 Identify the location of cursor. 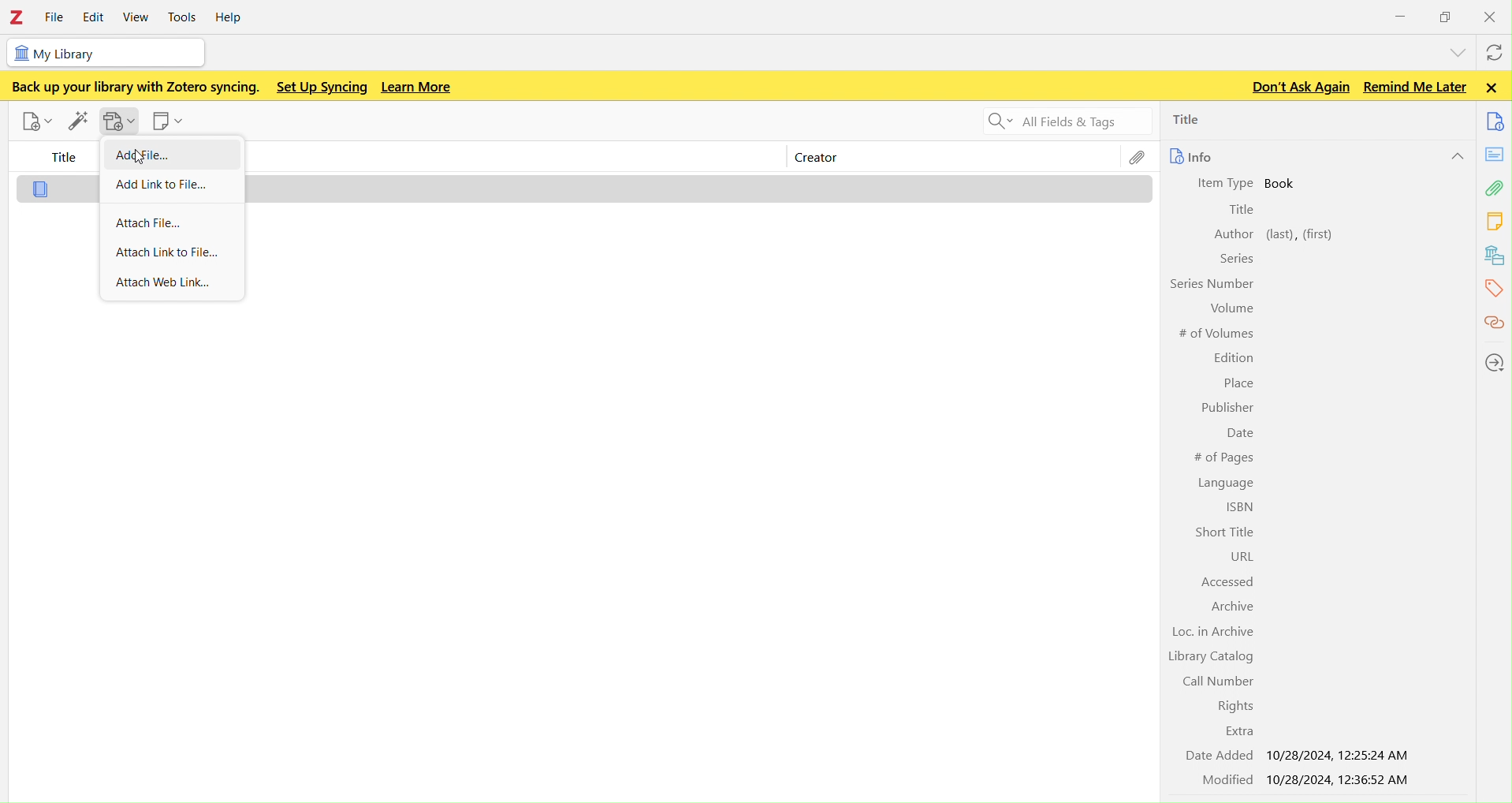
(137, 157).